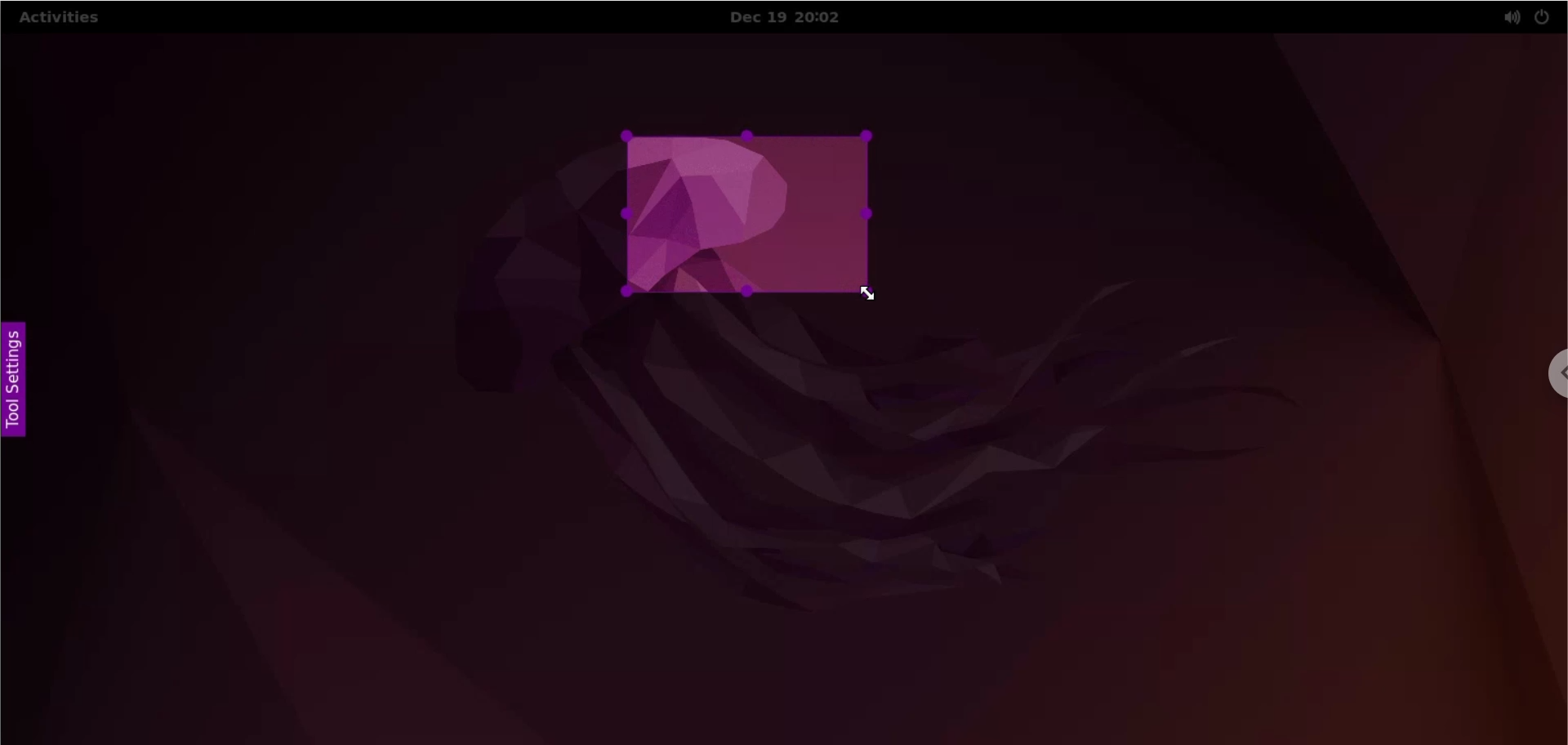  What do you see at coordinates (60, 20) in the screenshot?
I see `activities` at bounding box center [60, 20].